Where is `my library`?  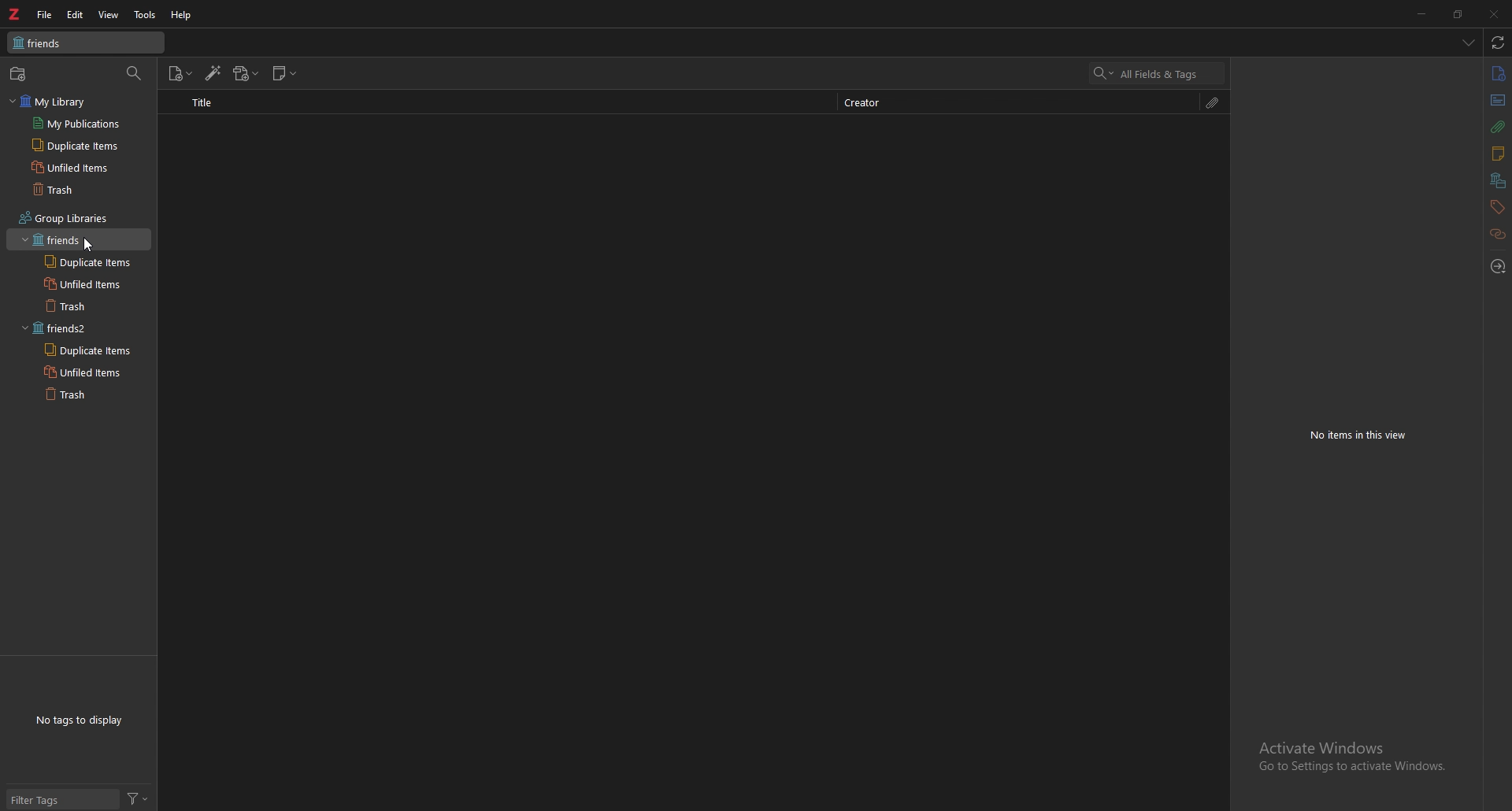 my library is located at coordinates (75, 101).